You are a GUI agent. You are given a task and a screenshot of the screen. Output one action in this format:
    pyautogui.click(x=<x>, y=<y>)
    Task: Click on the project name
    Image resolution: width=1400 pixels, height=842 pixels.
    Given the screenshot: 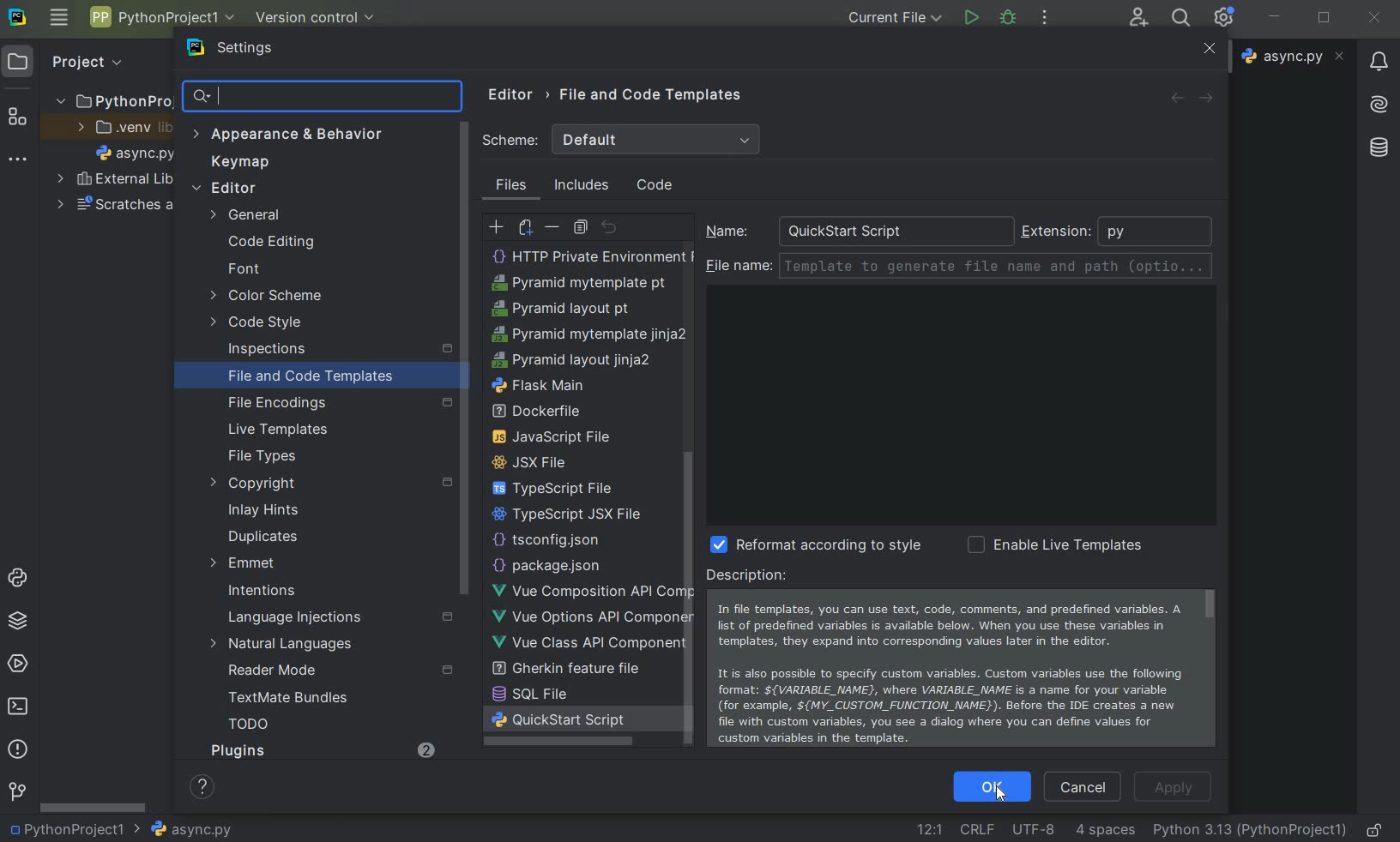 What is the action you would take?
    pyautogui.click(x=74, y=831)
    